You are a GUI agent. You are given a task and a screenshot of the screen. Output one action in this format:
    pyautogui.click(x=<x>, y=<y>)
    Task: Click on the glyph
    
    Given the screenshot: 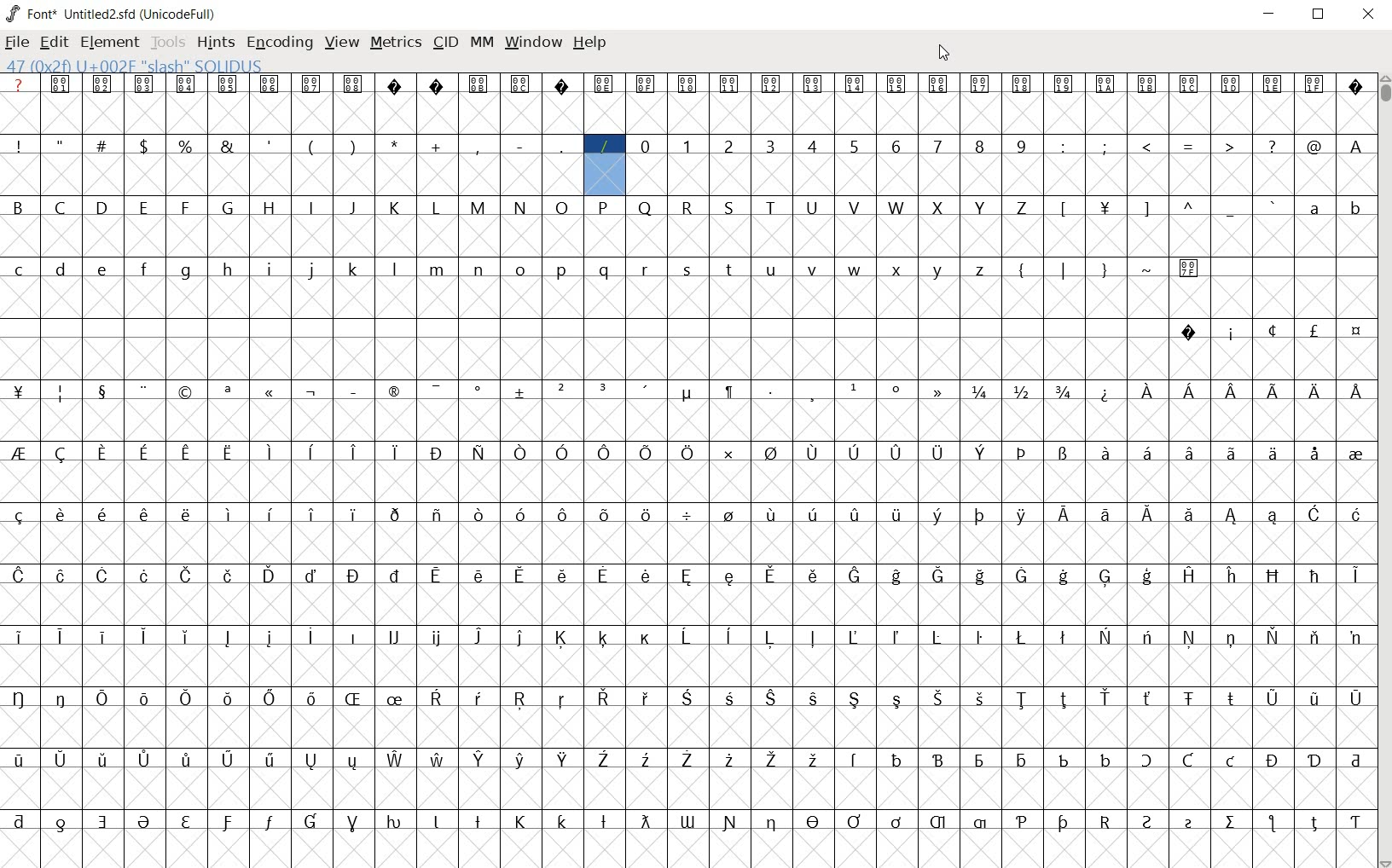 What is the action you would take?
    pyautogui.click(x=1355, y=761)
    